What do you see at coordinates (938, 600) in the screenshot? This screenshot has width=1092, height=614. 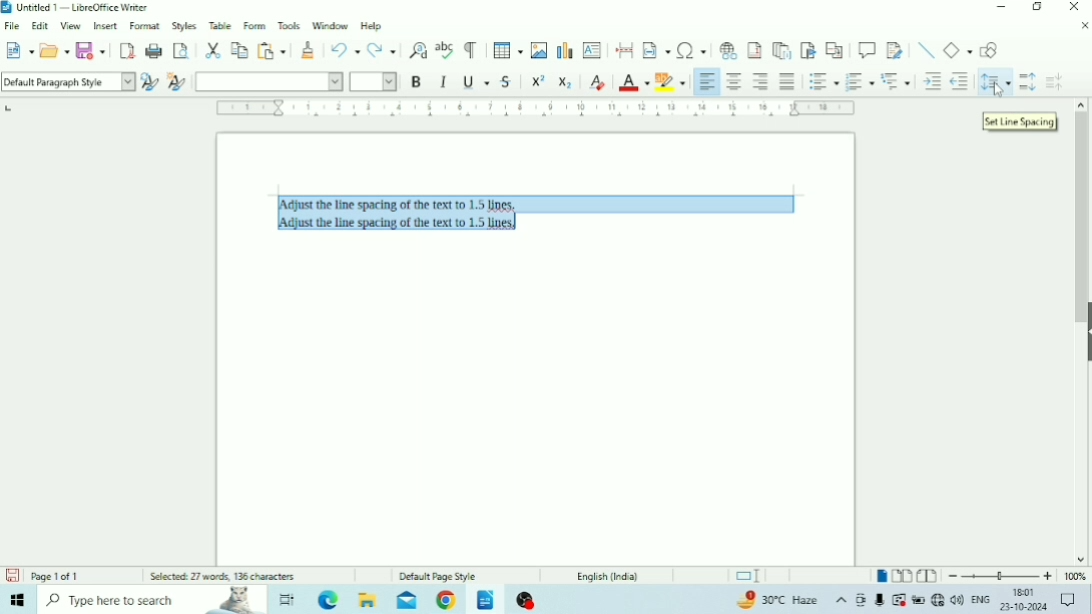 I see `Internet` at bounding box center [938, 600].